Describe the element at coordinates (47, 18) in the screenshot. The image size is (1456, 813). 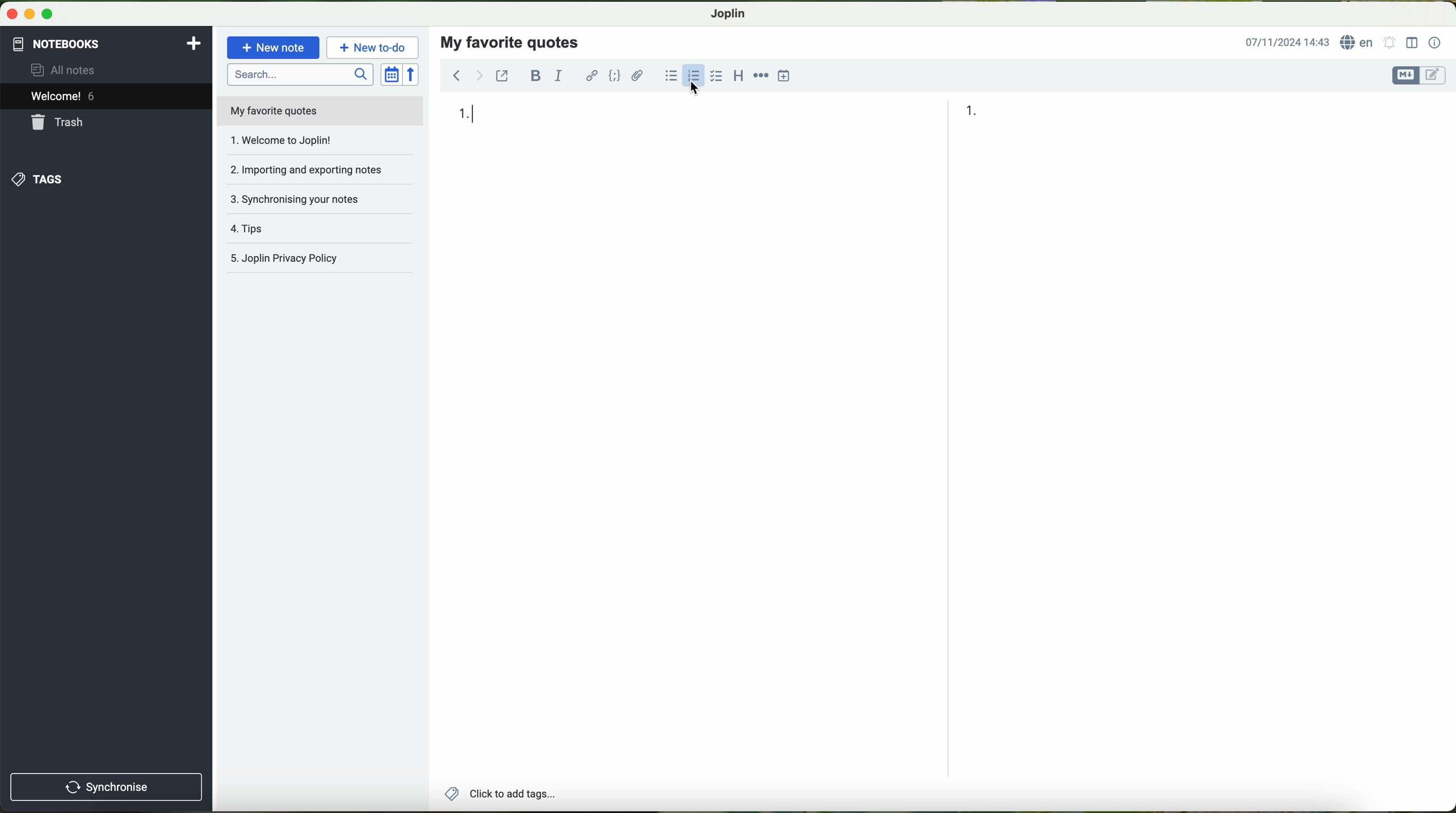
I see `maximize` at that location.